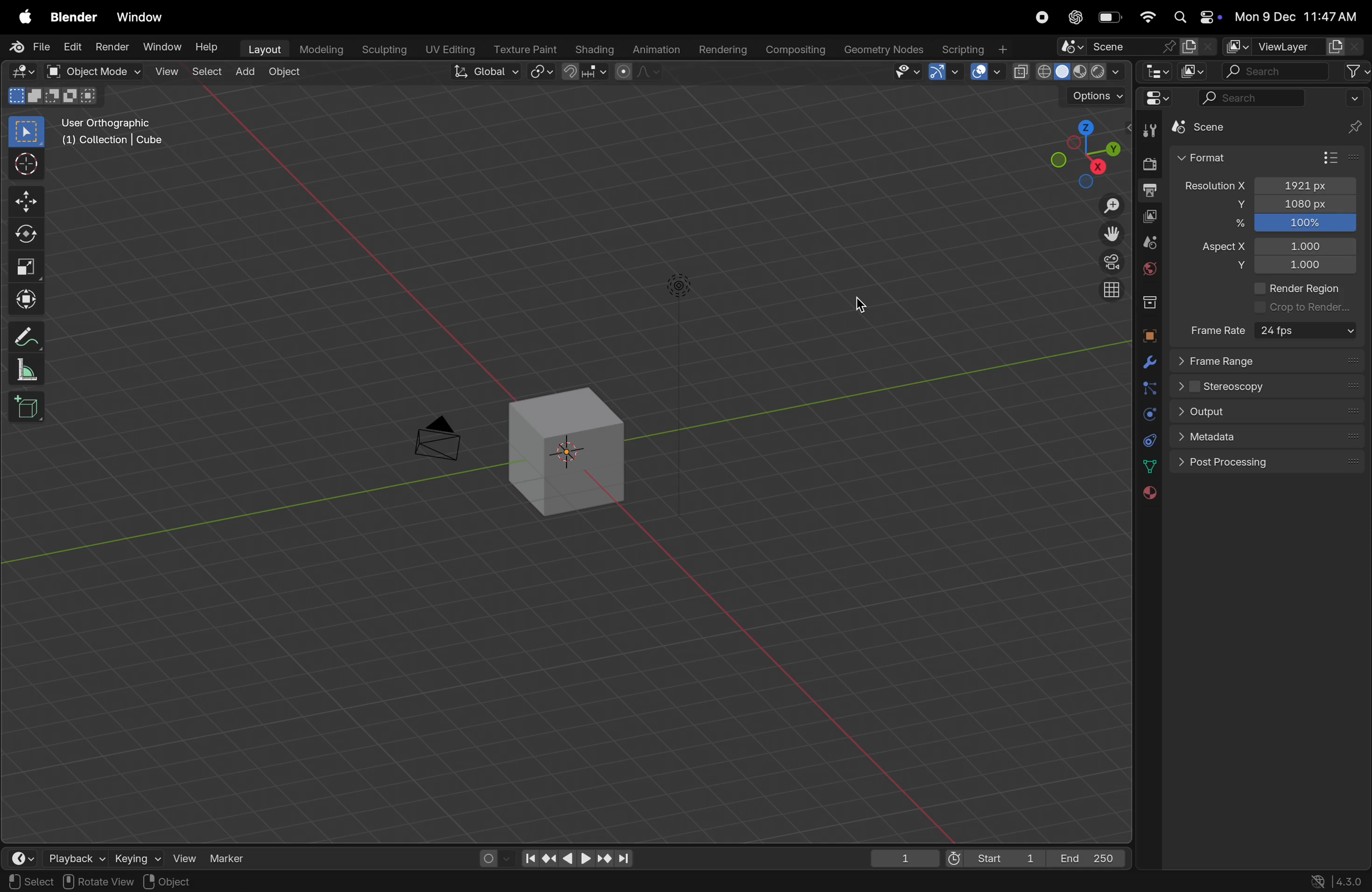  What do you see at coordinates (1147, 466) in the screenshot?
I see `date` at bounding box center [1147, 466].